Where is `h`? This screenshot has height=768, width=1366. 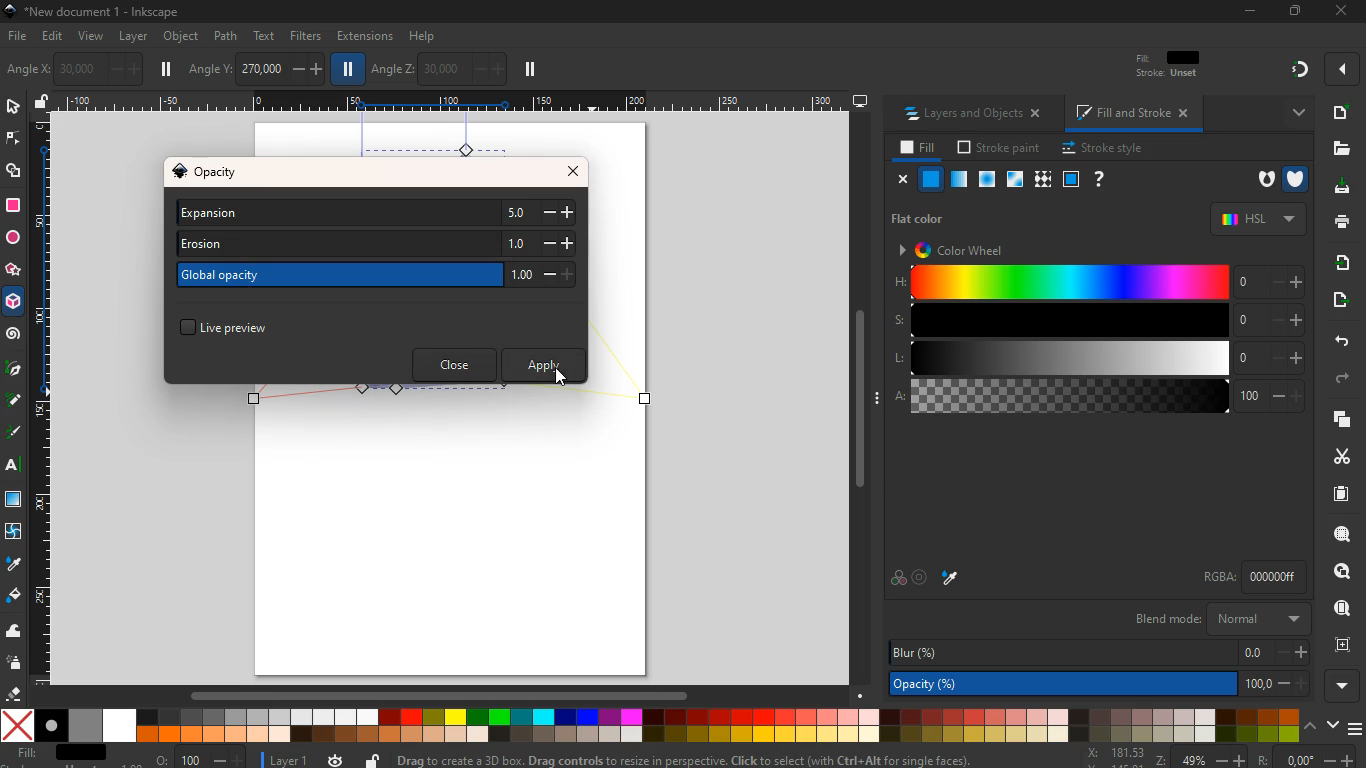
h is located at coordinates (1099, 283).